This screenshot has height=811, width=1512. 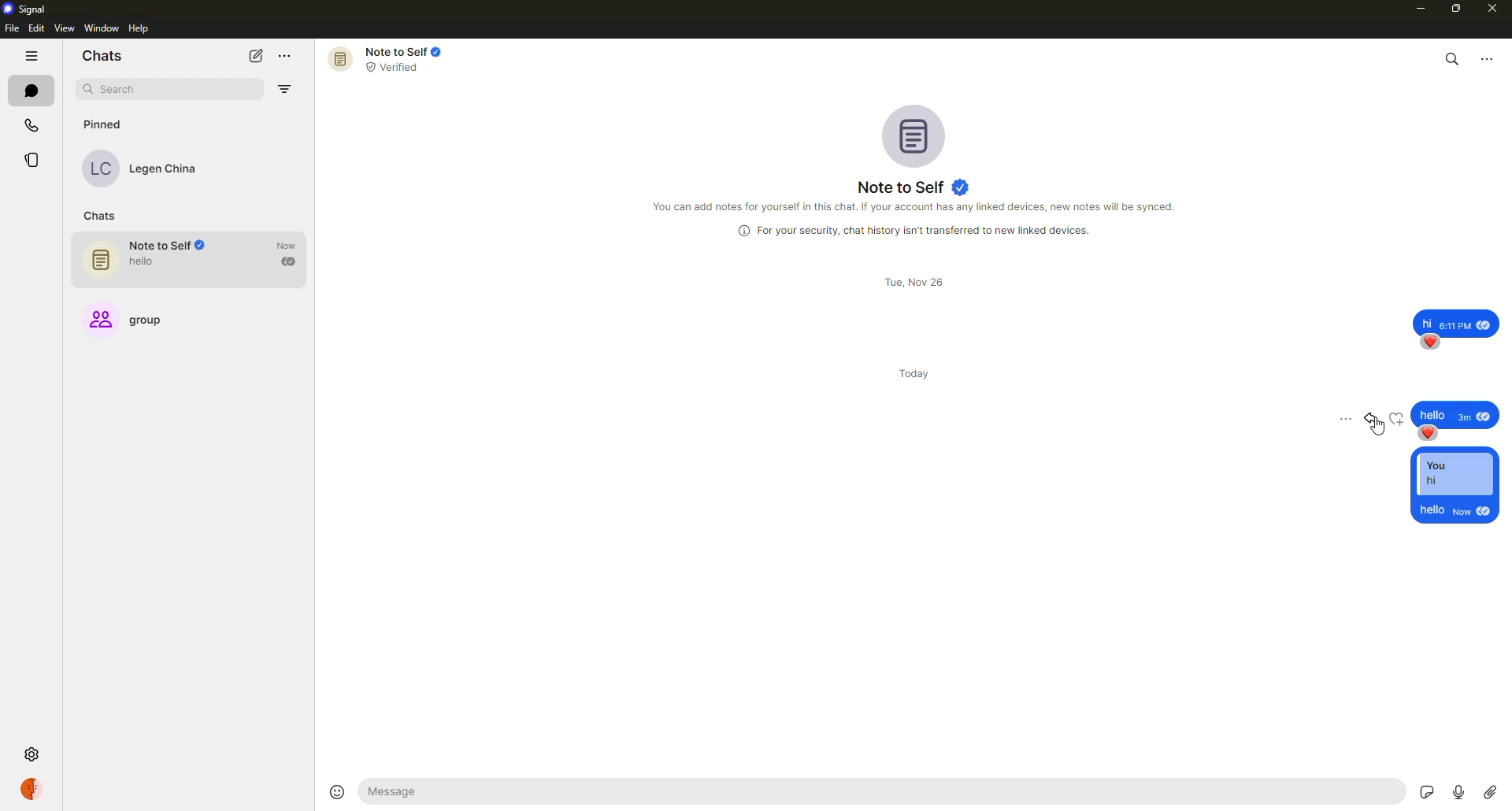 I want to click on more, so click(x=1349, y=422).